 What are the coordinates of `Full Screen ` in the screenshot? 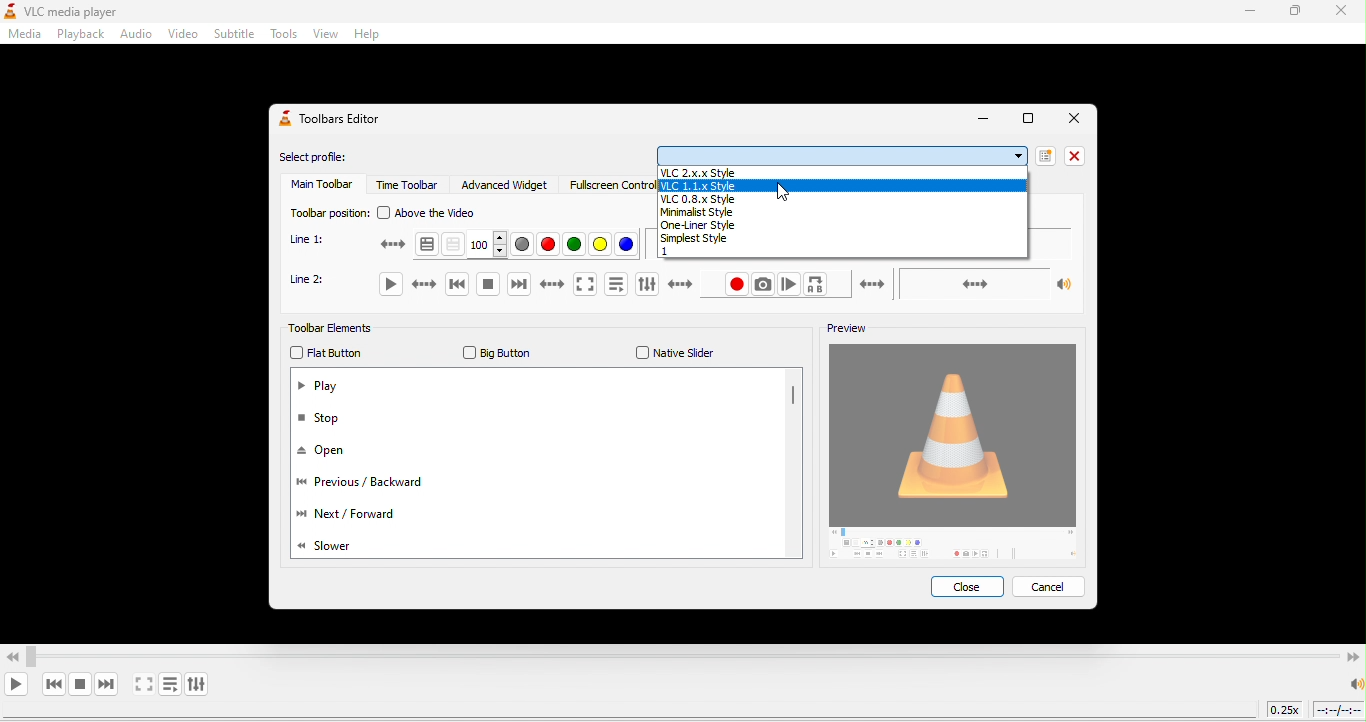 It's located at (1025, 121).